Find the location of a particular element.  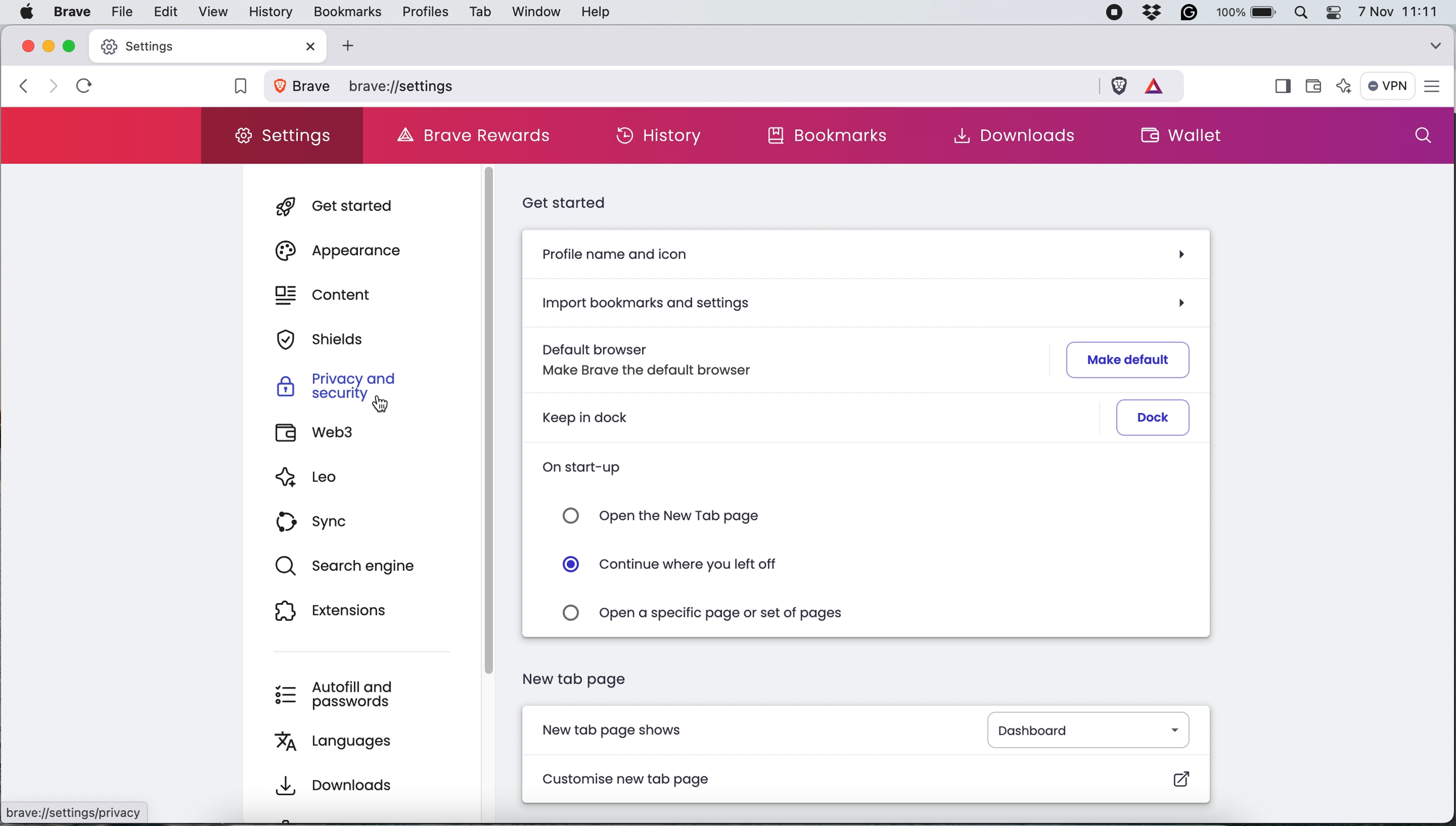

profiles is located at coordinates (423, 12).